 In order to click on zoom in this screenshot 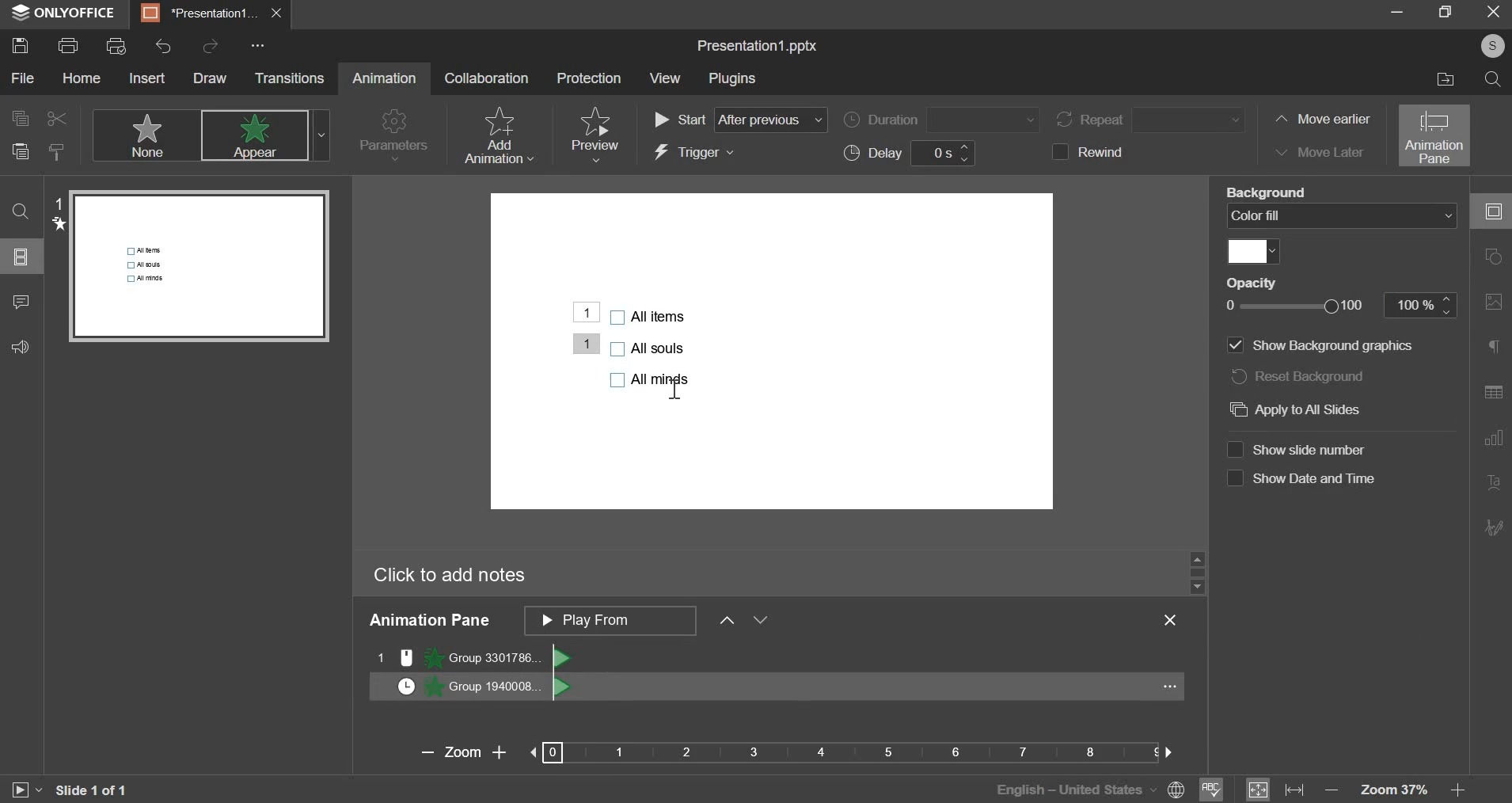, I will do `click(1406, 790)`.